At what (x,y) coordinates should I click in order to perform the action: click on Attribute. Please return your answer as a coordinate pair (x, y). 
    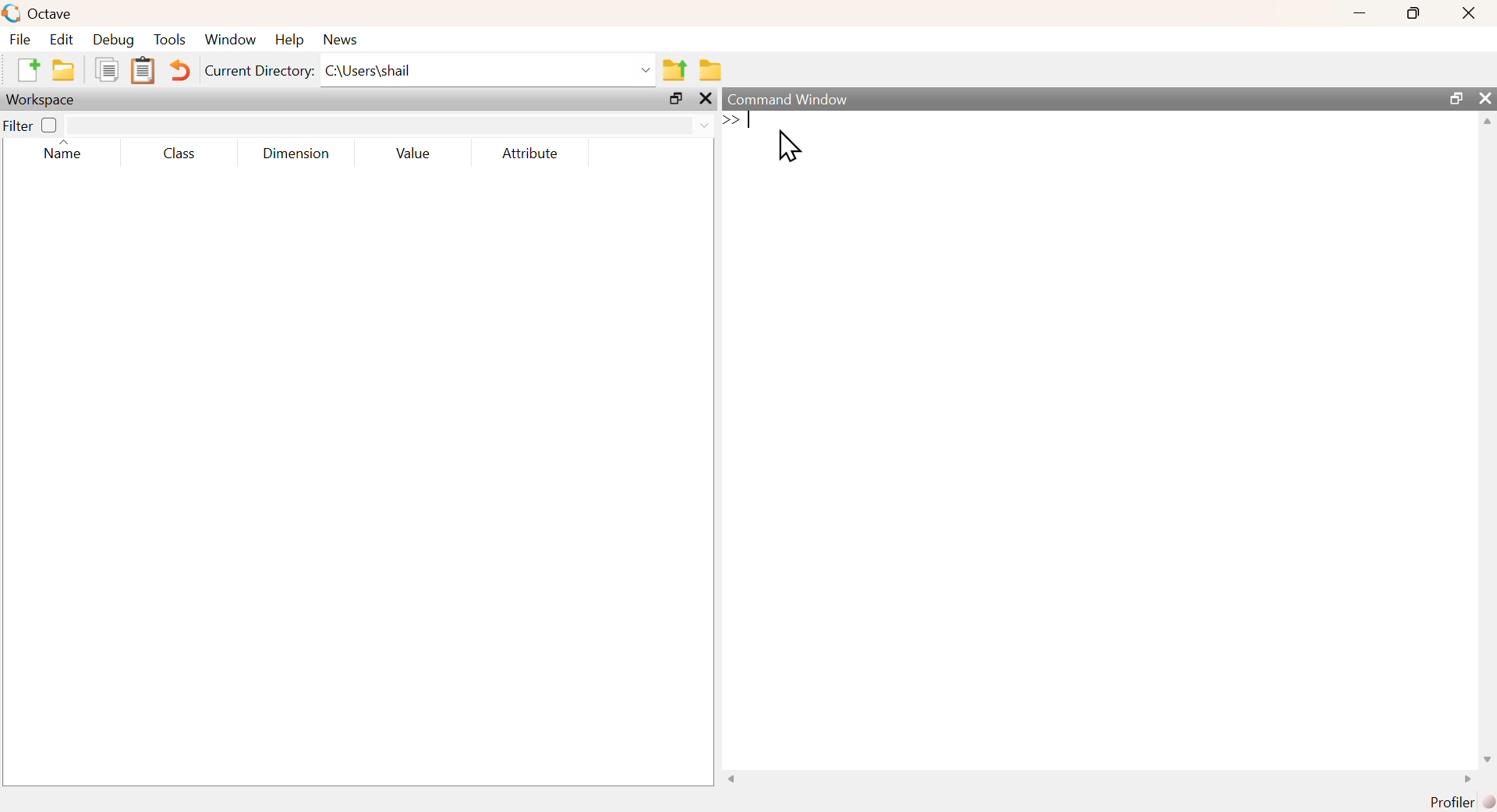
    Looking at the image, I should click on (531, 153).